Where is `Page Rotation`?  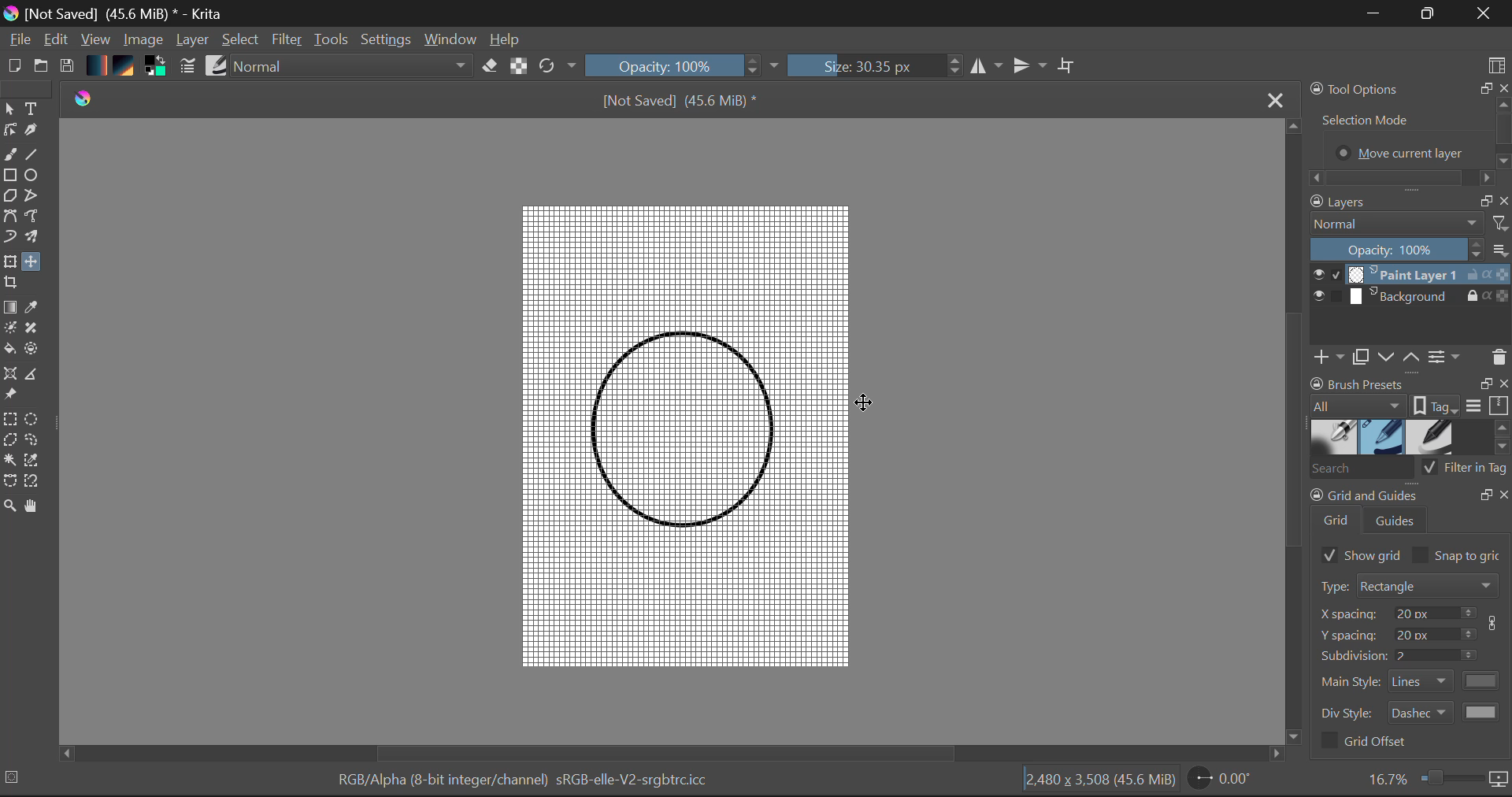 Page Rotation is located at coordinates (1225, 781).